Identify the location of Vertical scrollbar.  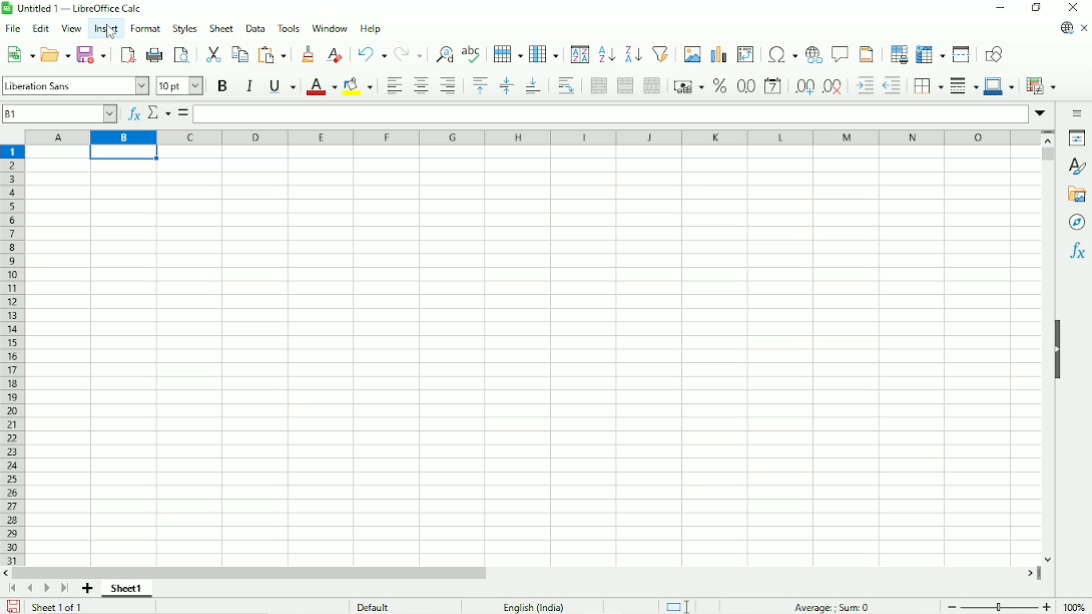
(1049, 154).